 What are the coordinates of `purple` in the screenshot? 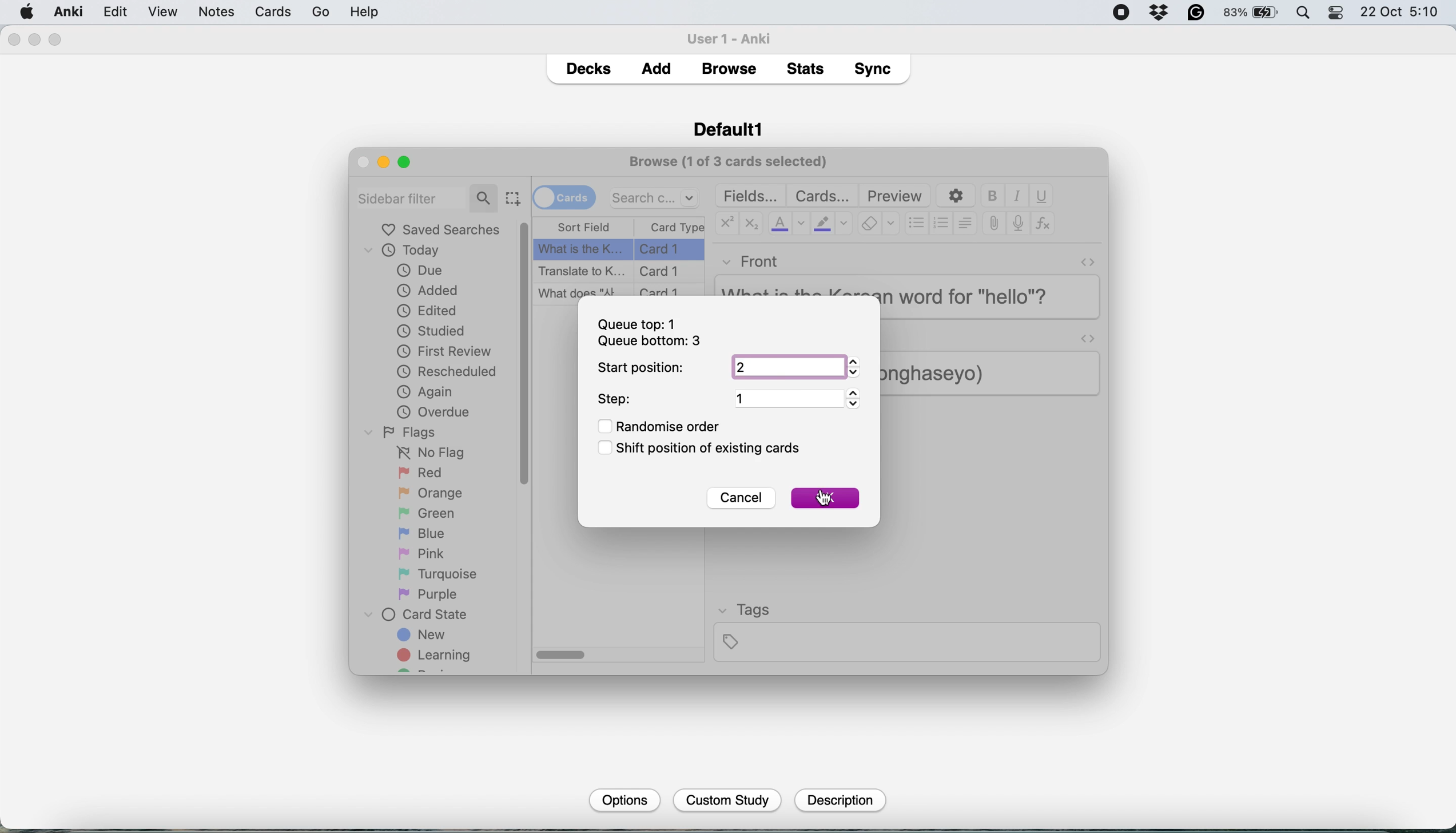 It's located at (430, 594).